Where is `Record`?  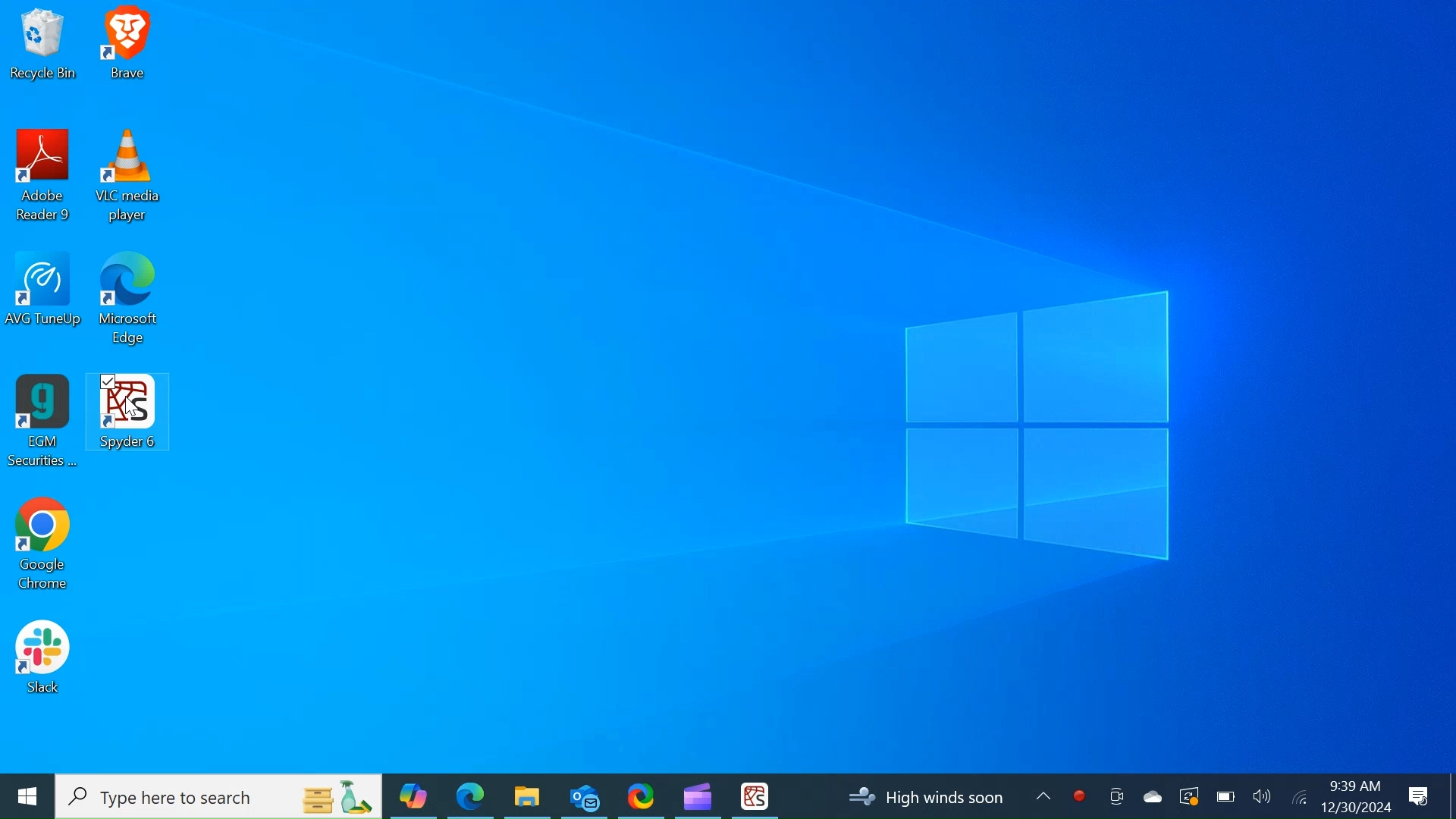 Record is located at coordinates (1079, 796).